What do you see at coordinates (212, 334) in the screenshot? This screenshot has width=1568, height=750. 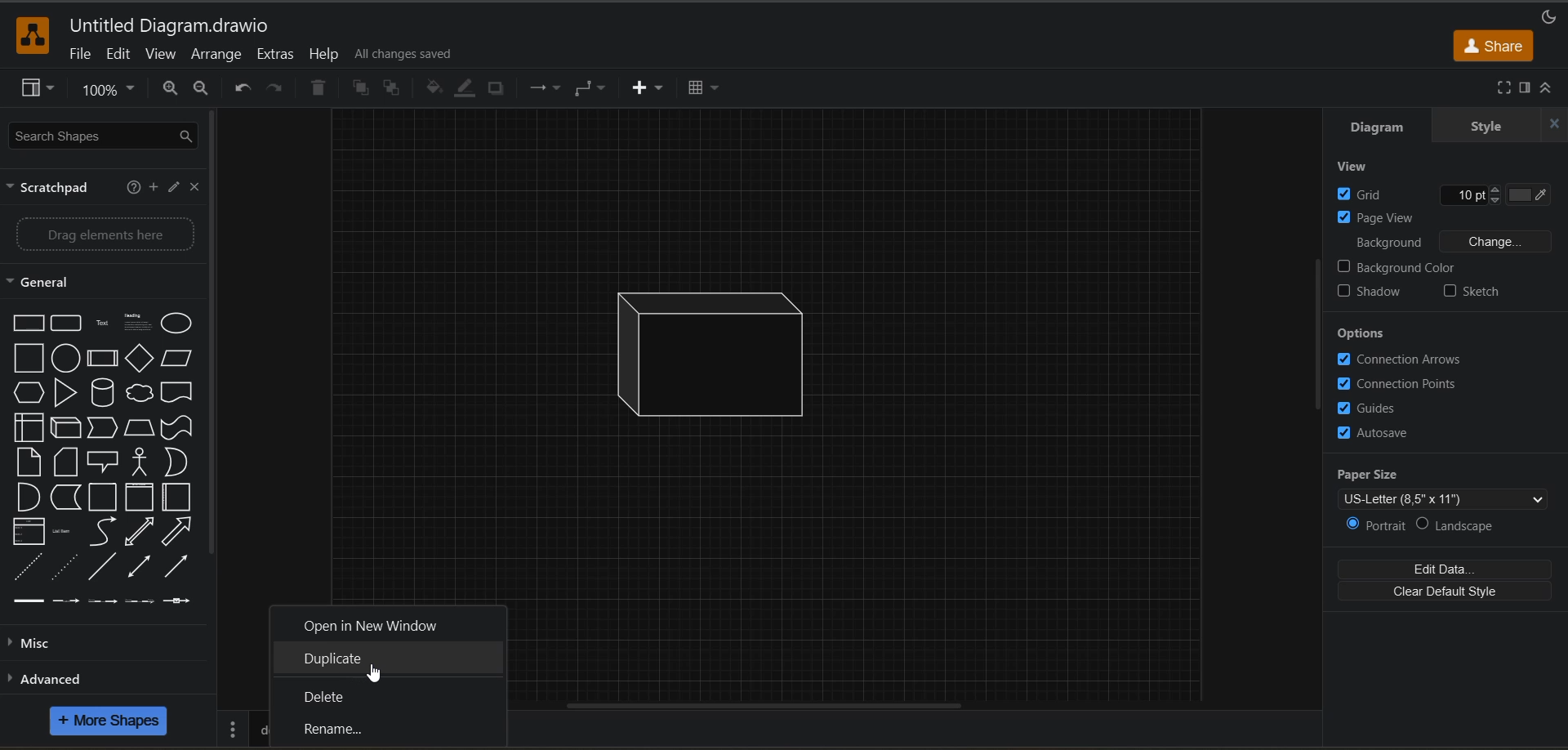 I see `vertical scroll bar` at bounding box center [212, 334].